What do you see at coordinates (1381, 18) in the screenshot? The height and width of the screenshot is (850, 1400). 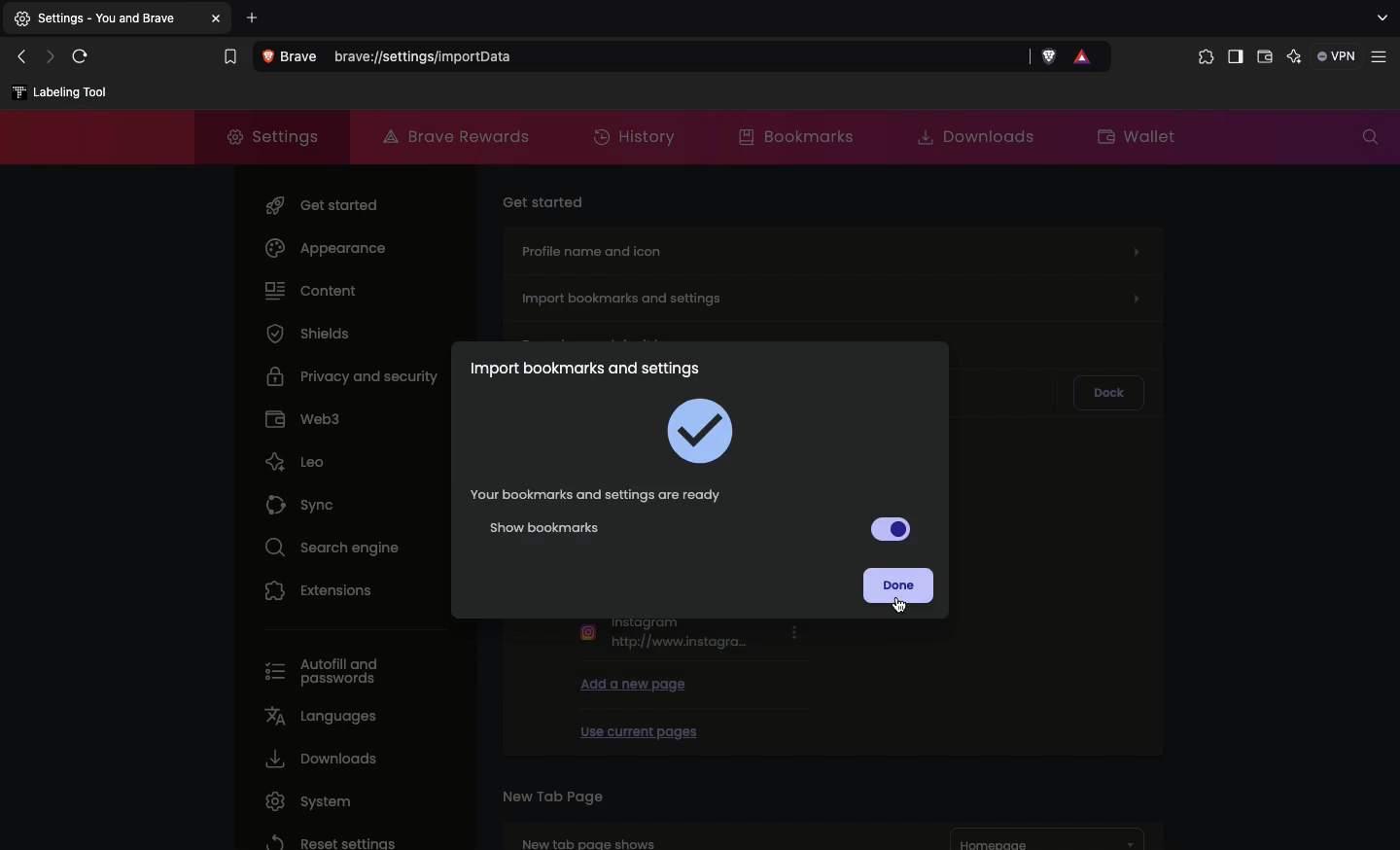 I see `search tabs` at bounding box center [1381, 18].